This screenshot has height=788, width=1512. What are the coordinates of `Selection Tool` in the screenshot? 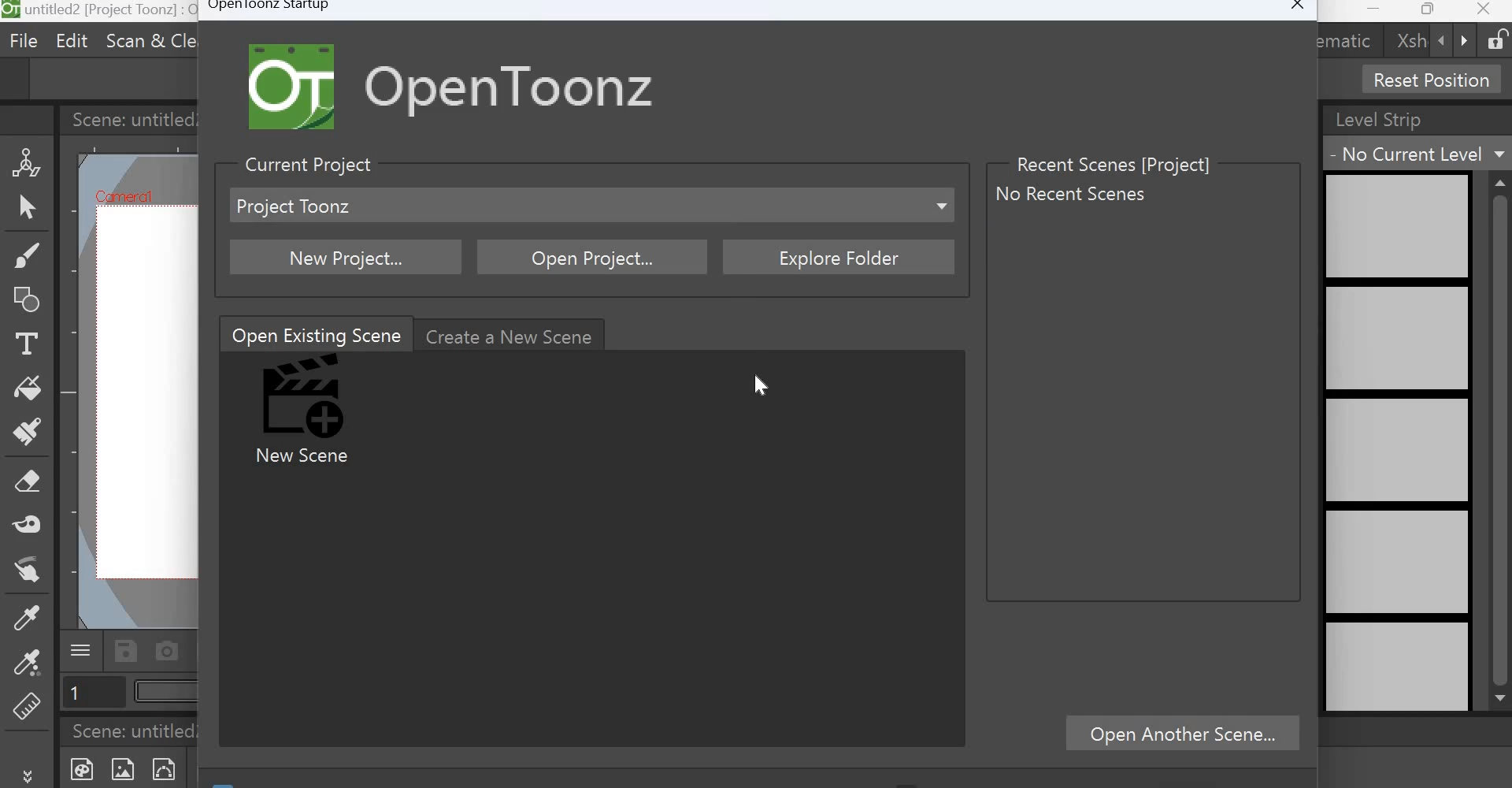 It's located at (27, 208).